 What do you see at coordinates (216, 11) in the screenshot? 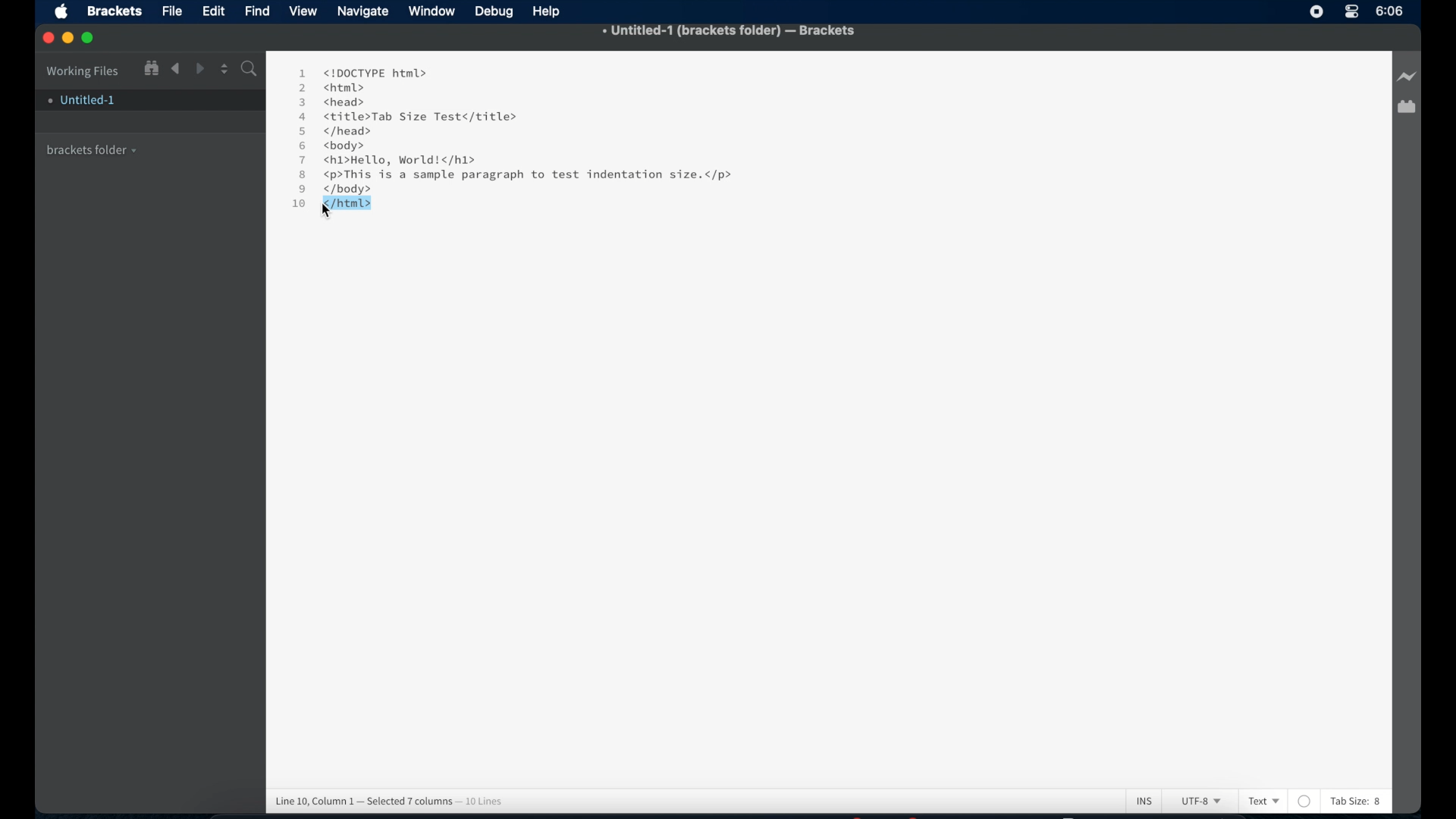
I see `Edit` at bounding box center [216, 11].